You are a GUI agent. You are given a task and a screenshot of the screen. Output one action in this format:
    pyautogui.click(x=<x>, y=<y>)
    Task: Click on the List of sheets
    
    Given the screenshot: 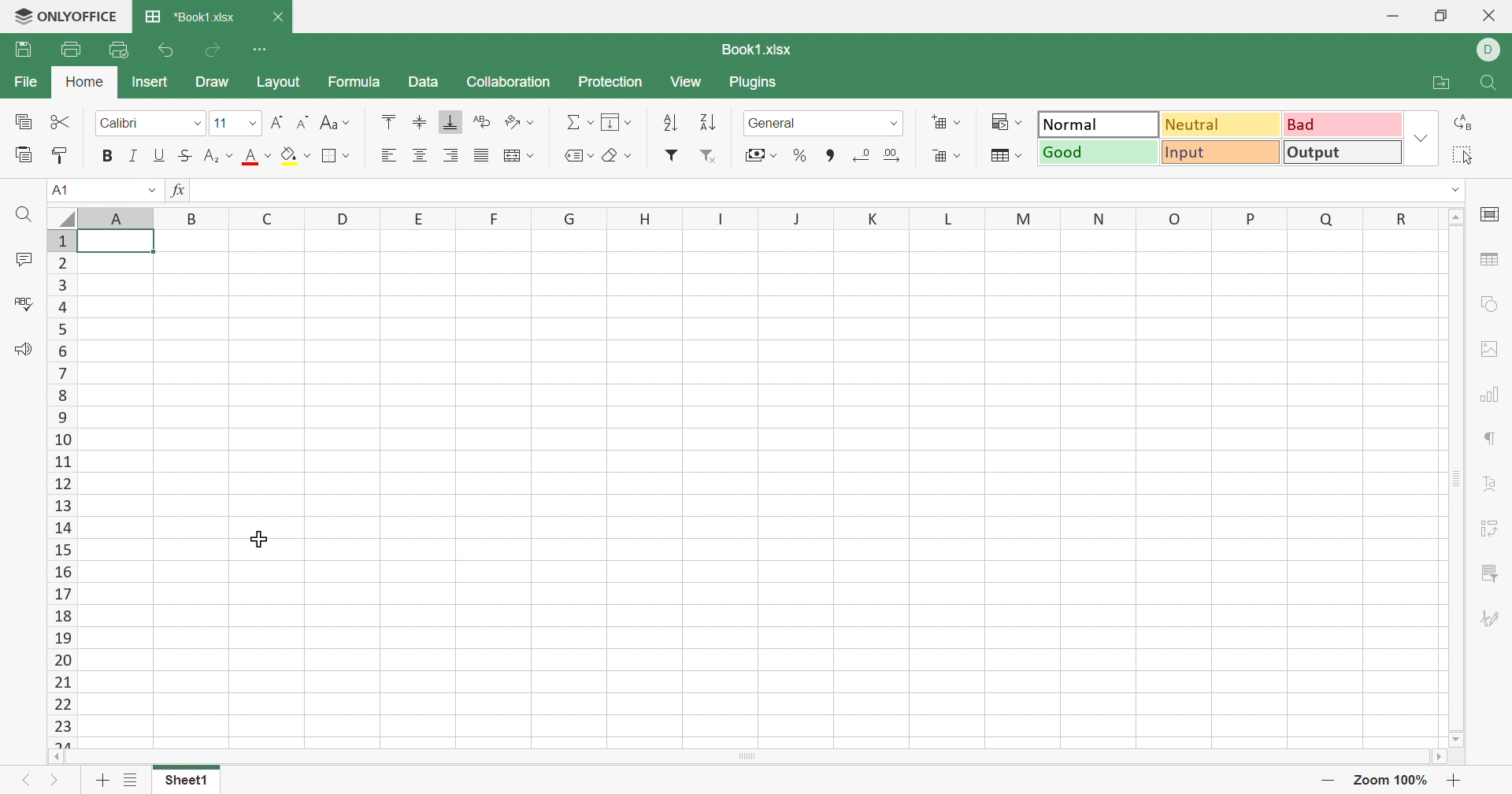 What is the action you would take?
    pyautogui.click(x=132, y=777)
    